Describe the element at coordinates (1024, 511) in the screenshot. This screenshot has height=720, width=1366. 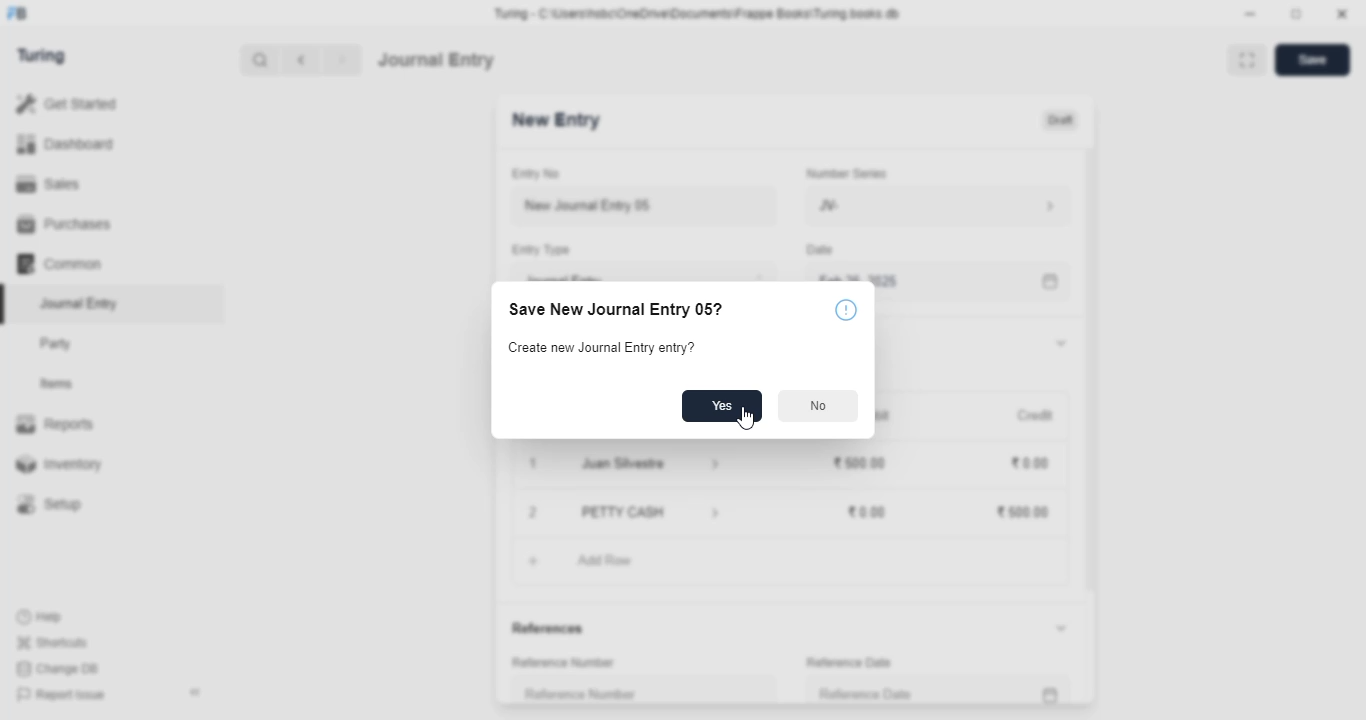
I see `₹500.00` at that location.